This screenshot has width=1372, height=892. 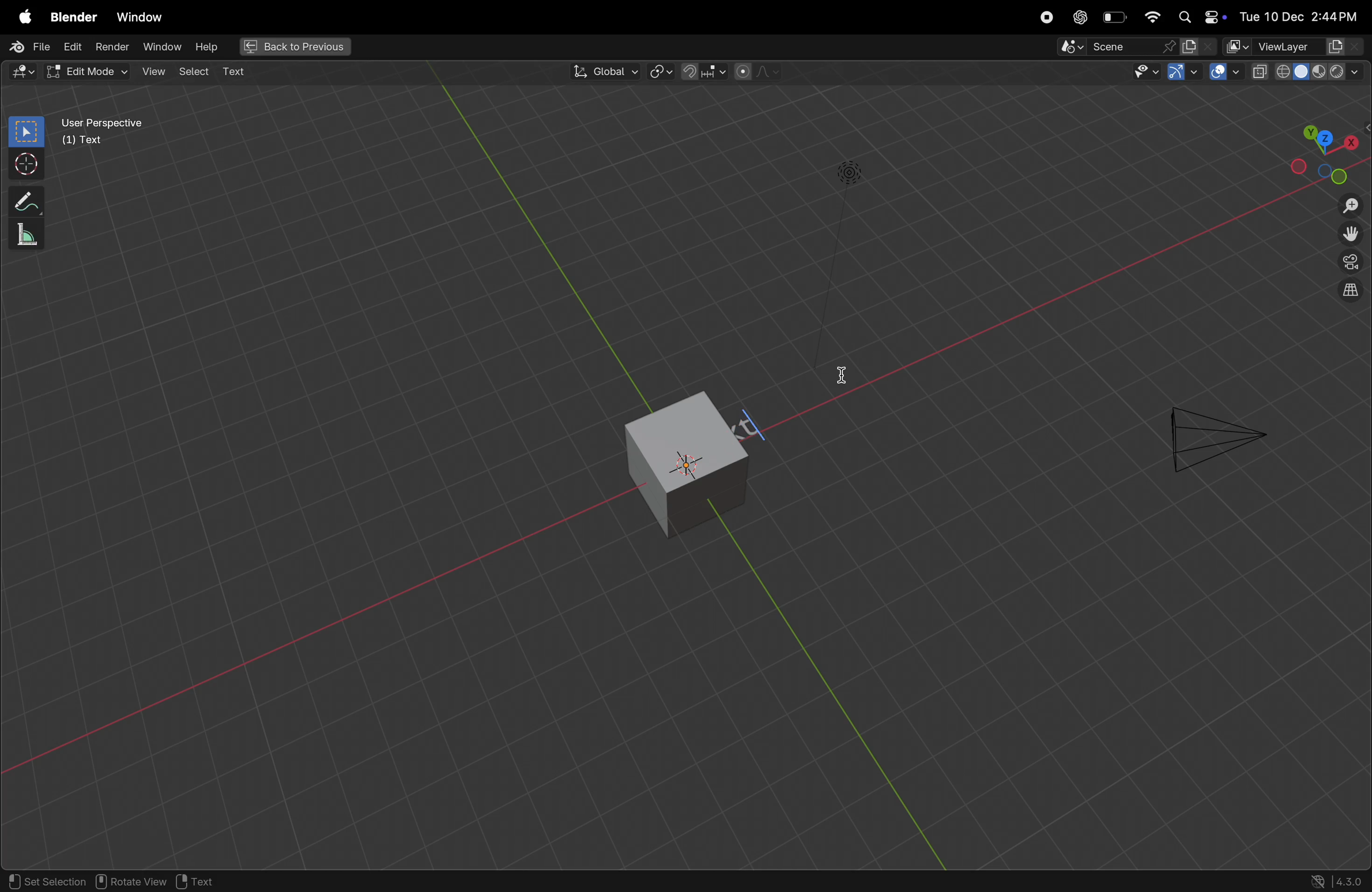 I want to click on record, so click(x=1045, y=17).